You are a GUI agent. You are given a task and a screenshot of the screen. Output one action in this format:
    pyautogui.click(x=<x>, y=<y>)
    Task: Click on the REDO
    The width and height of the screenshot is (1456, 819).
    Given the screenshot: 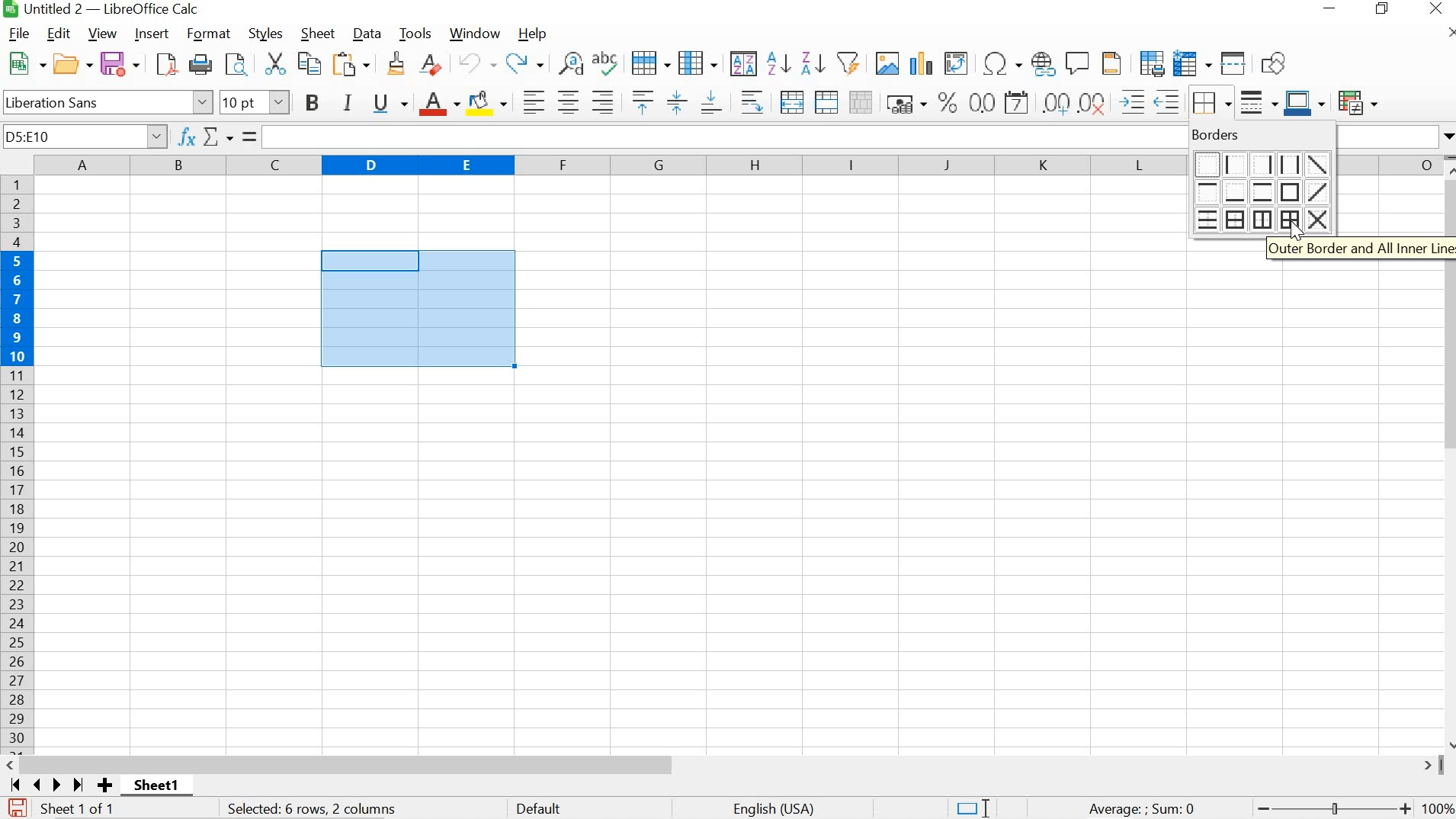 What is the action you would take?
    pyautogui.click(x=525, y=64)
    